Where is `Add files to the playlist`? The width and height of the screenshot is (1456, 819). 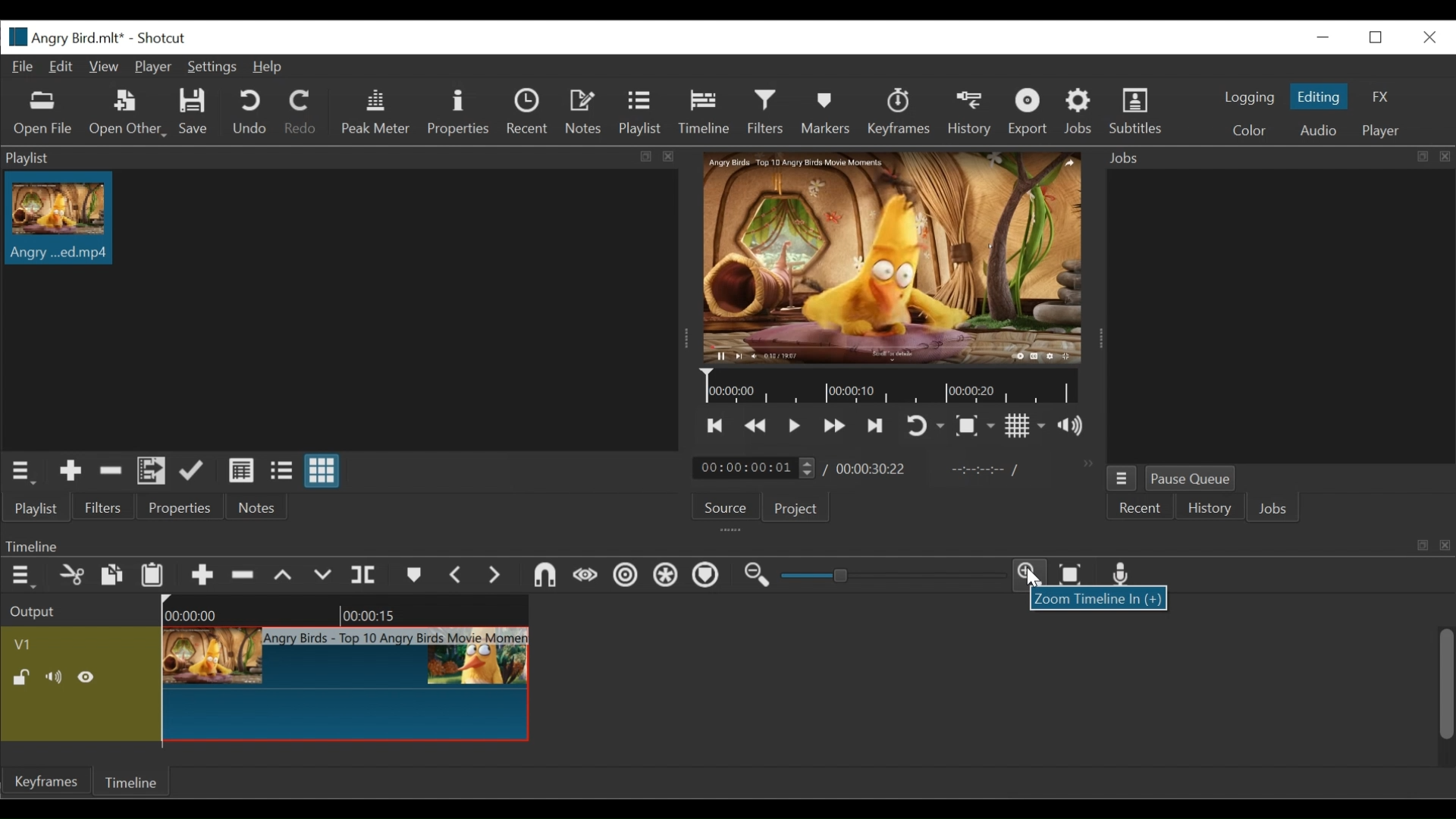 Add files to the playlist is located at coordinates (152, 472).